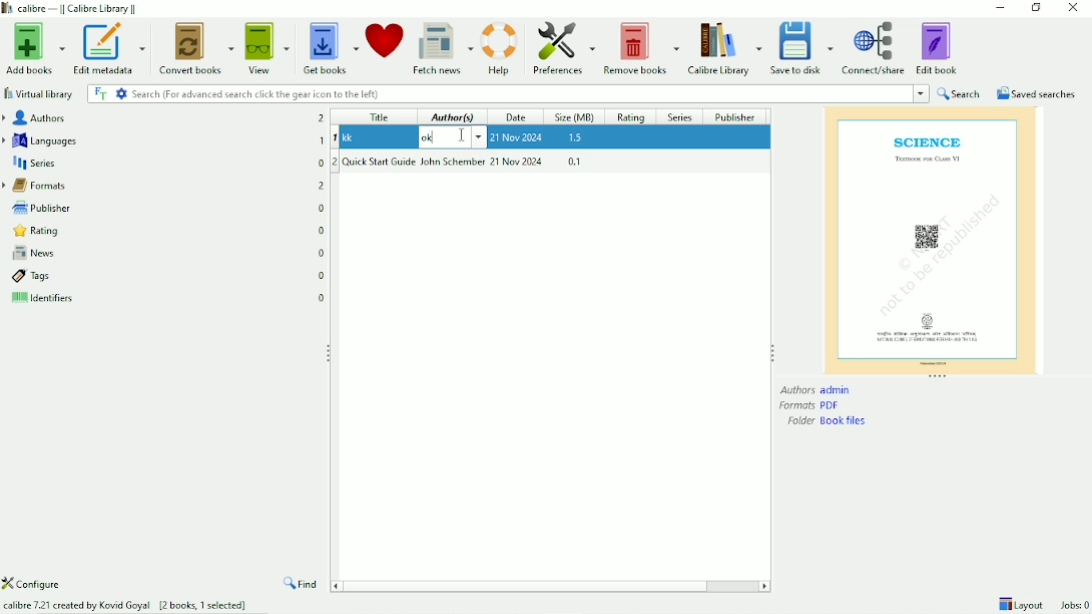  What do you see at coordinates (165, 232) in the screenshot?
I see `Rating` at bounding box center [165, 232].